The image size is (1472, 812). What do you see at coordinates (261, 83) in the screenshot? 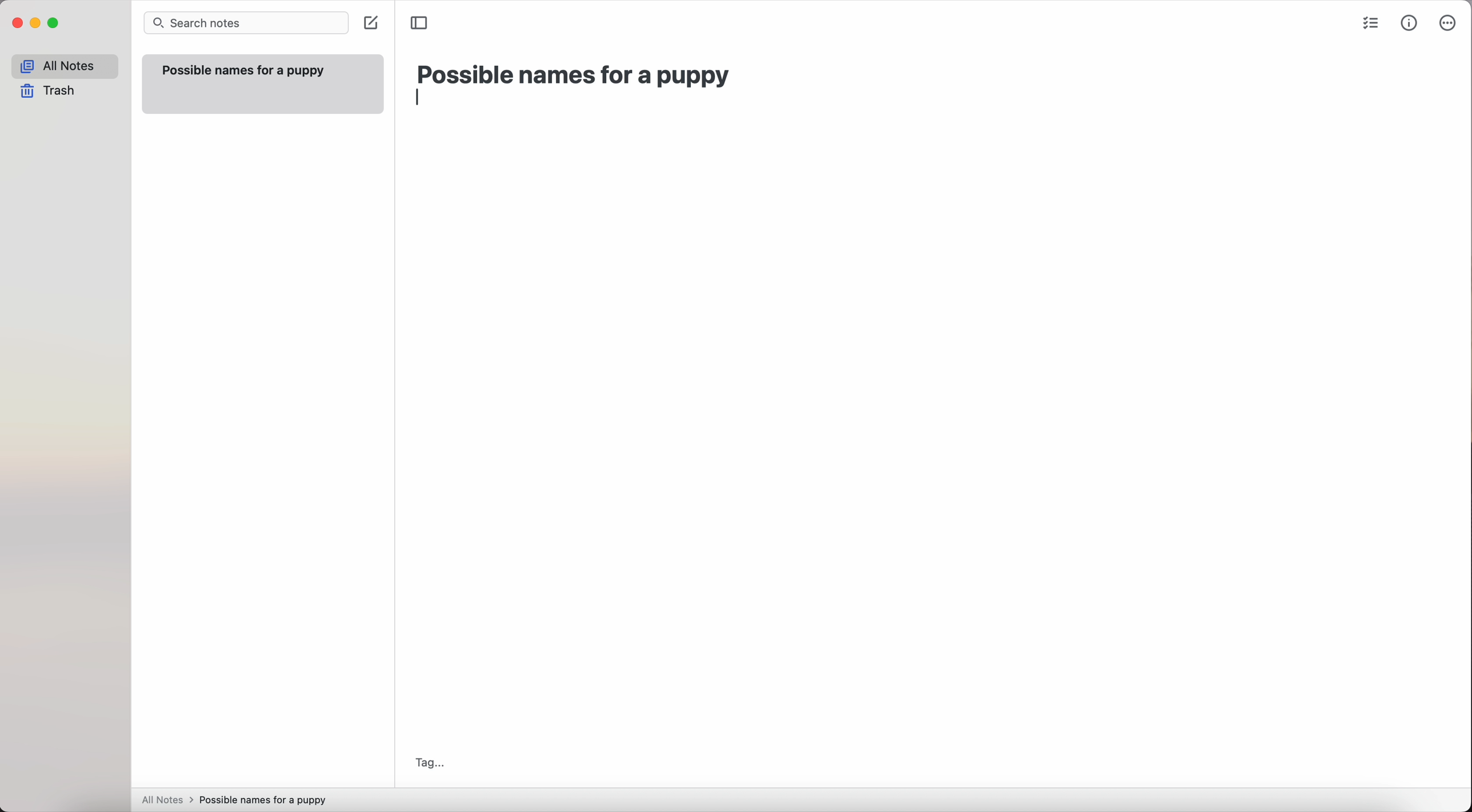
I see `possible names for a puppy note` at bounding box center [261, 83].